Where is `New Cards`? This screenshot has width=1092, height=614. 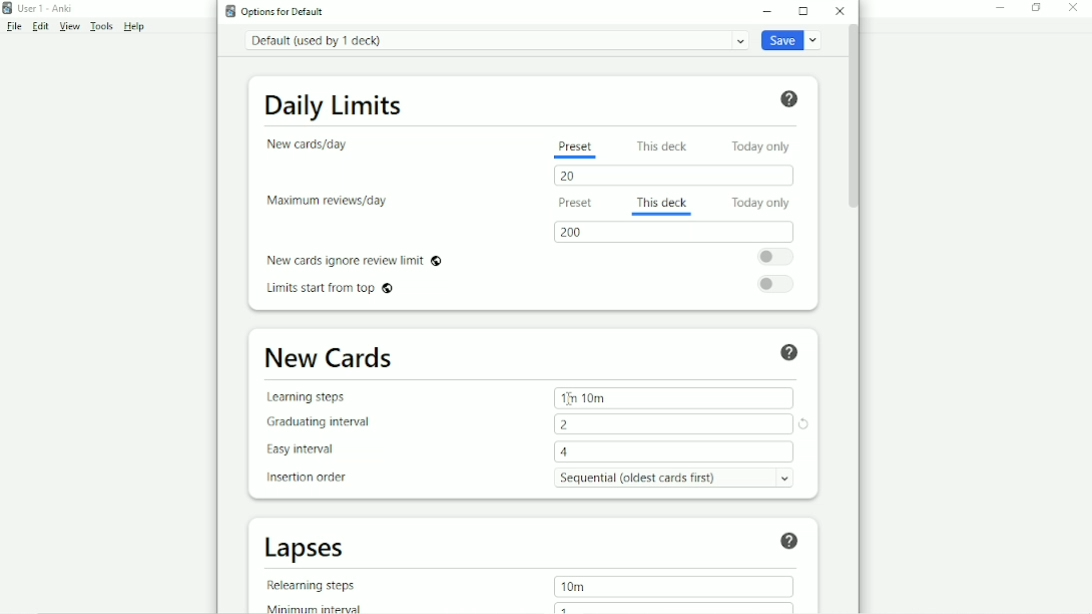 New Cards is located at coordinates (331, 359).